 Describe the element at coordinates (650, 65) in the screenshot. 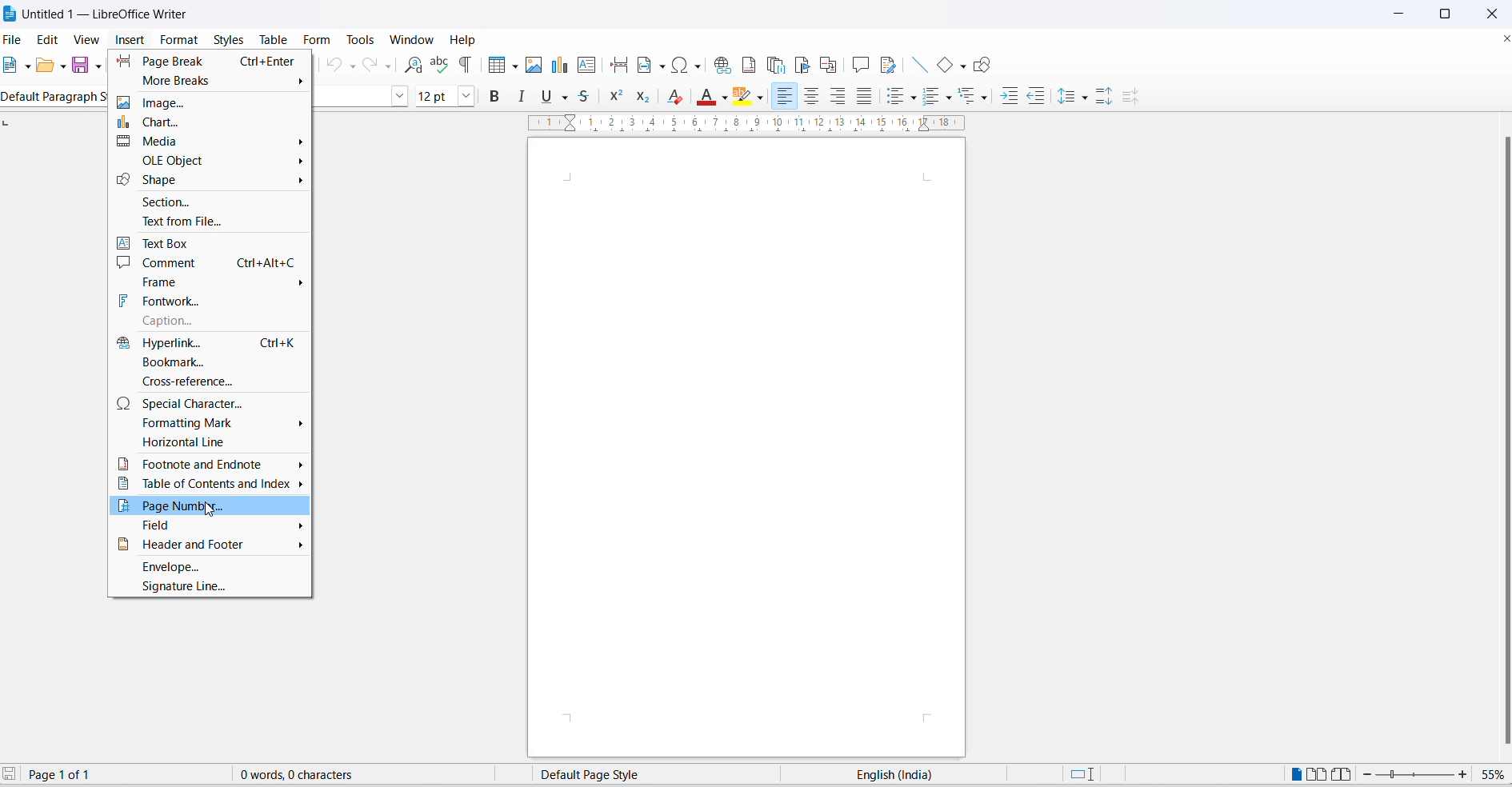

I see `insert field` at that location.